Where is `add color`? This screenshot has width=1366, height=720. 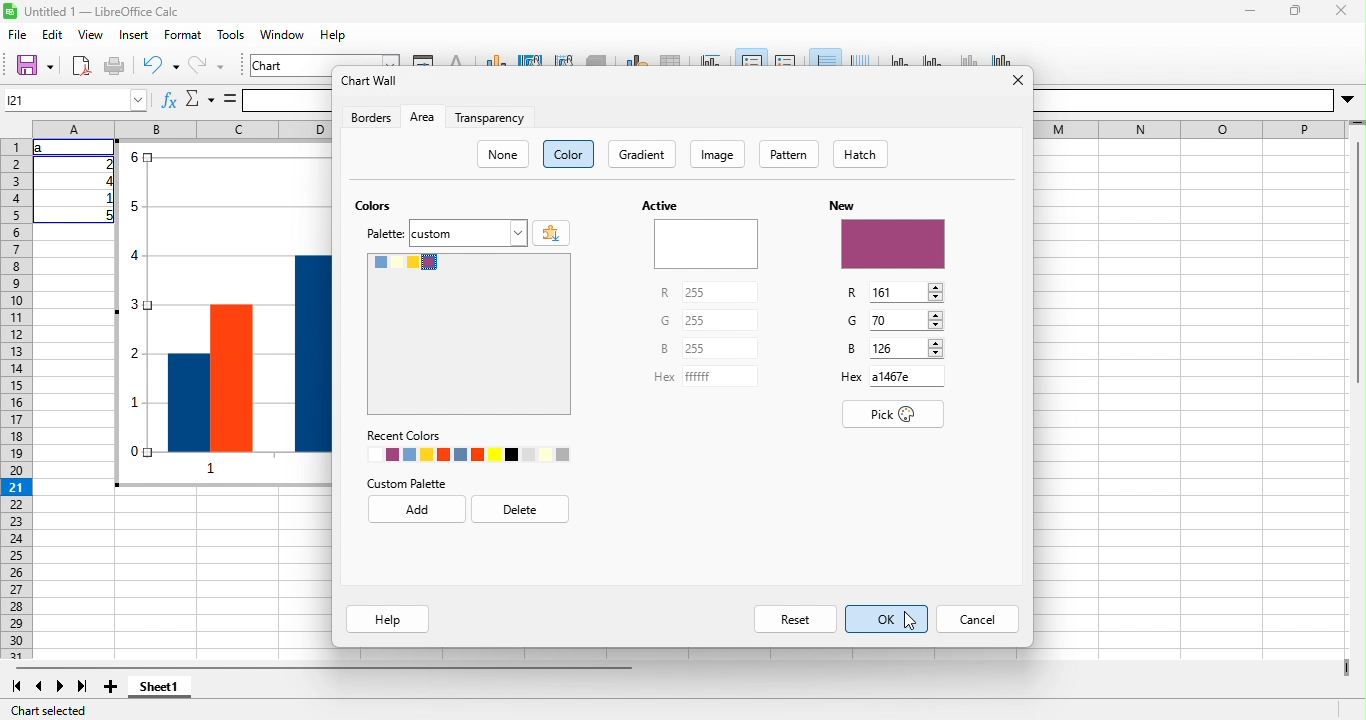
add color is located at coordinates (551, 233).